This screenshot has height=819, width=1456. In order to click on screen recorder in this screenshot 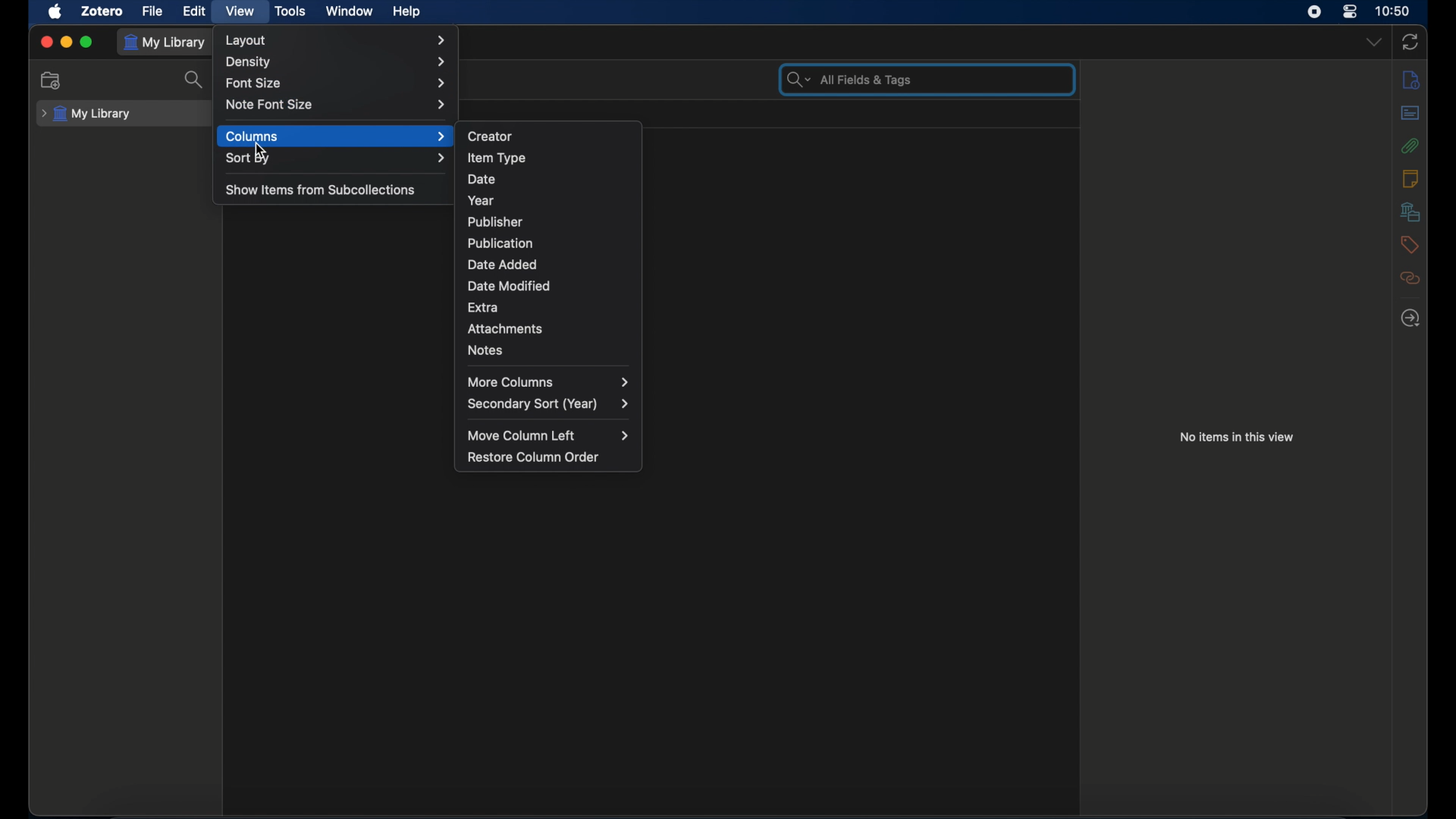, I will do `click(1313, 12)`.